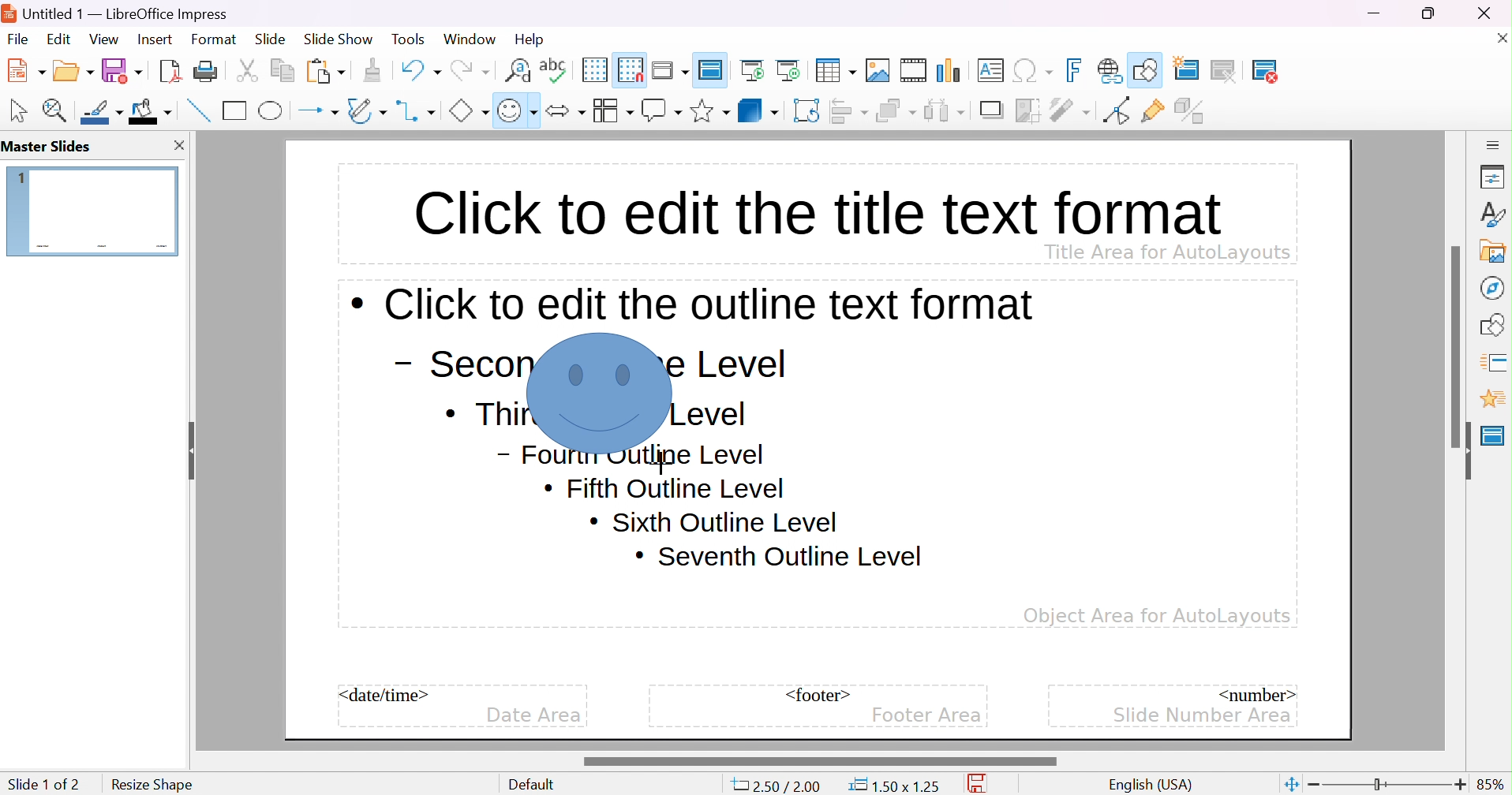 The image size is (1512, 795). Describe the element at coordinates (1495, 323) in the screenshot. I see `shapes` at that location.